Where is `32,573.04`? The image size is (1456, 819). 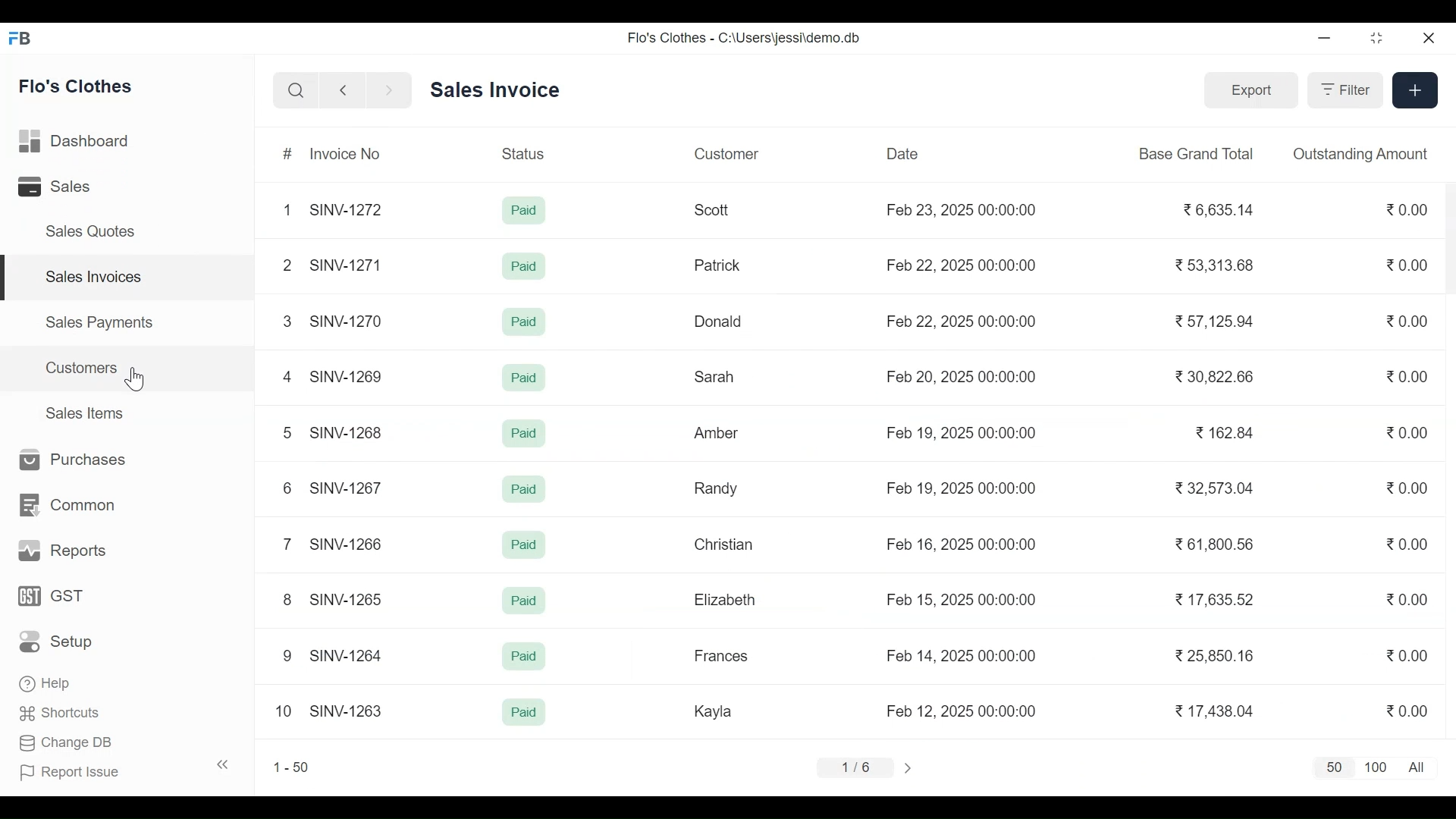
32,573.04 is located at coordinates (1217, 489).